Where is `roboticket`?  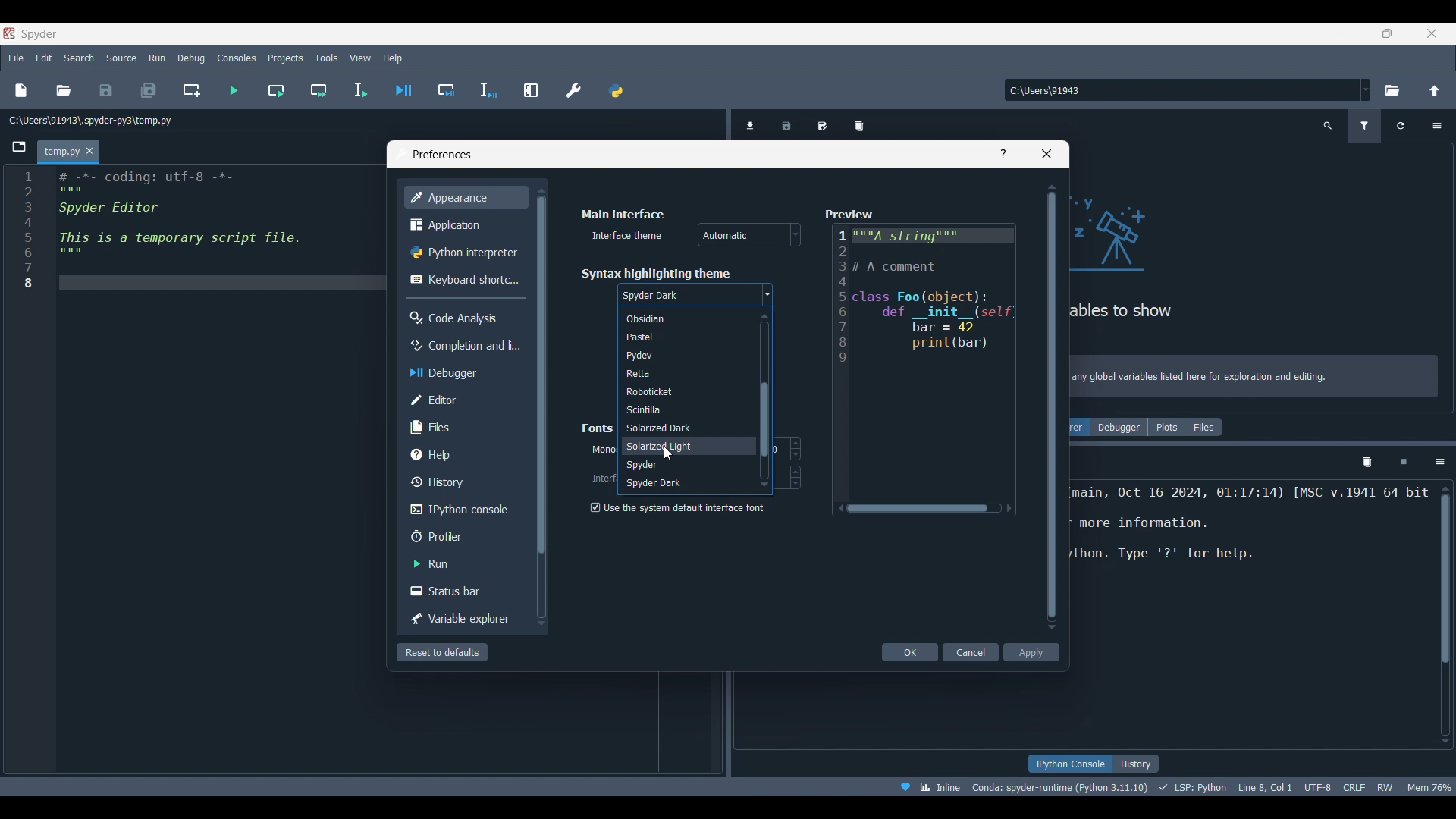
roboticket is located at coordinates (679, 392).